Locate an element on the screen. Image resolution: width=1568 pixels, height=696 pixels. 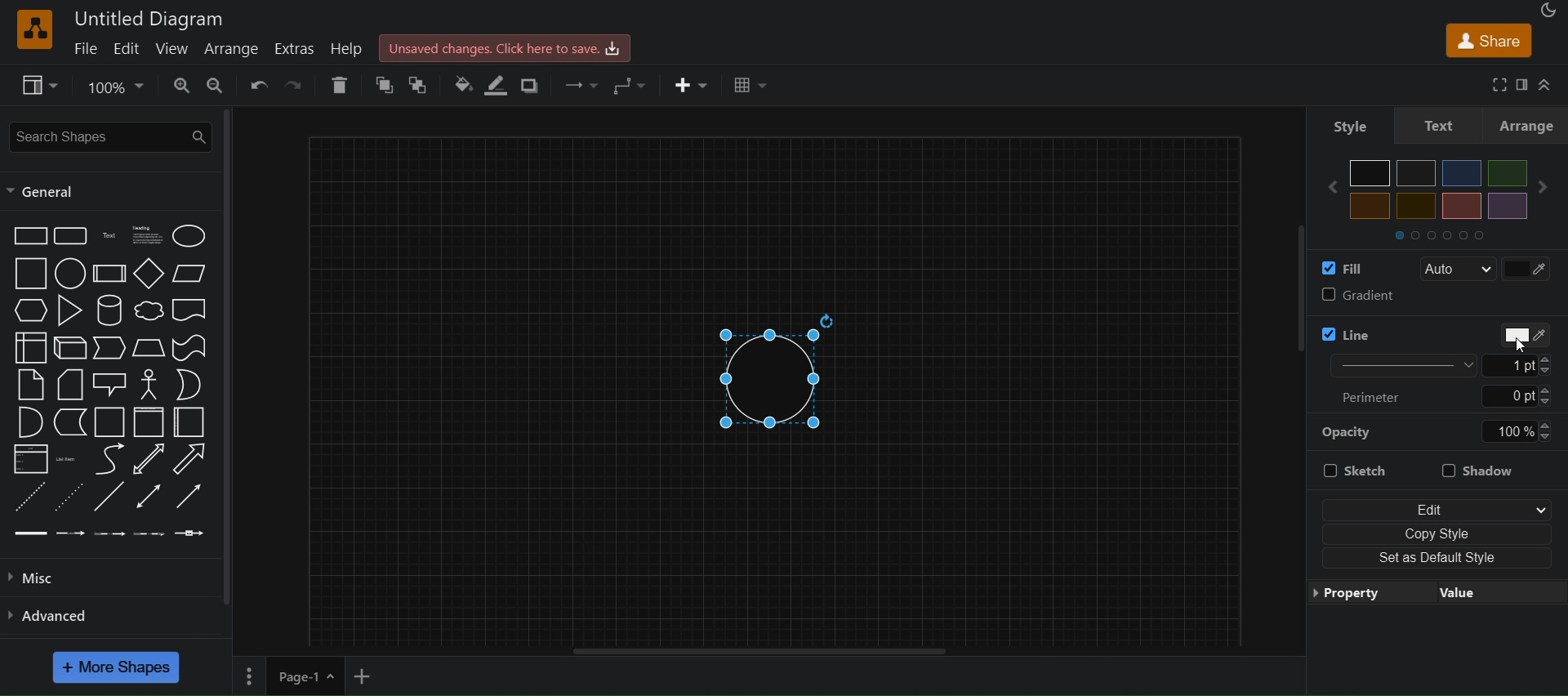
undo is located at coordinates (261, 84).